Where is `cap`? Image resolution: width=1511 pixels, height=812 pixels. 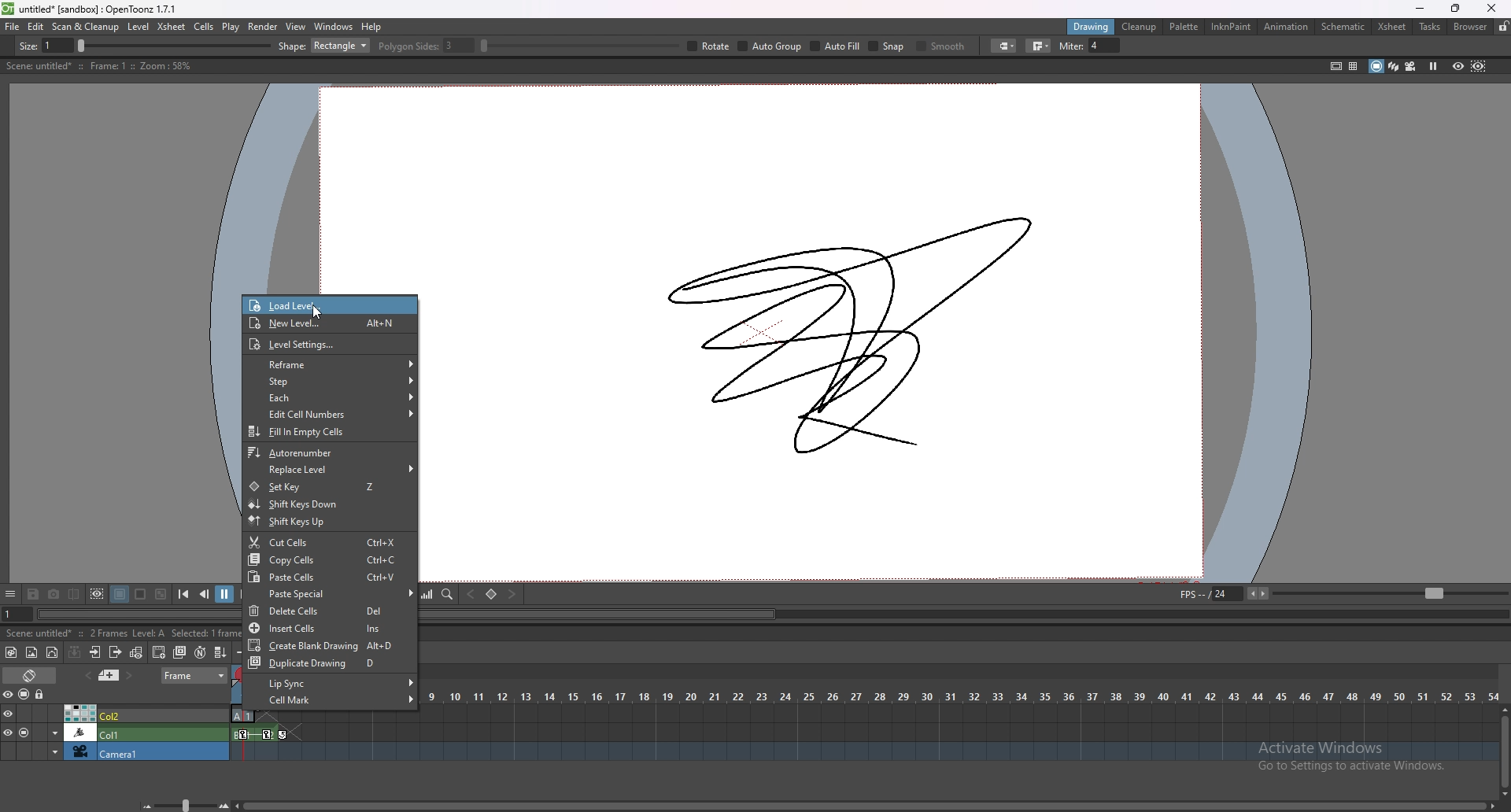
cap is located at coordinates (1278, 46).